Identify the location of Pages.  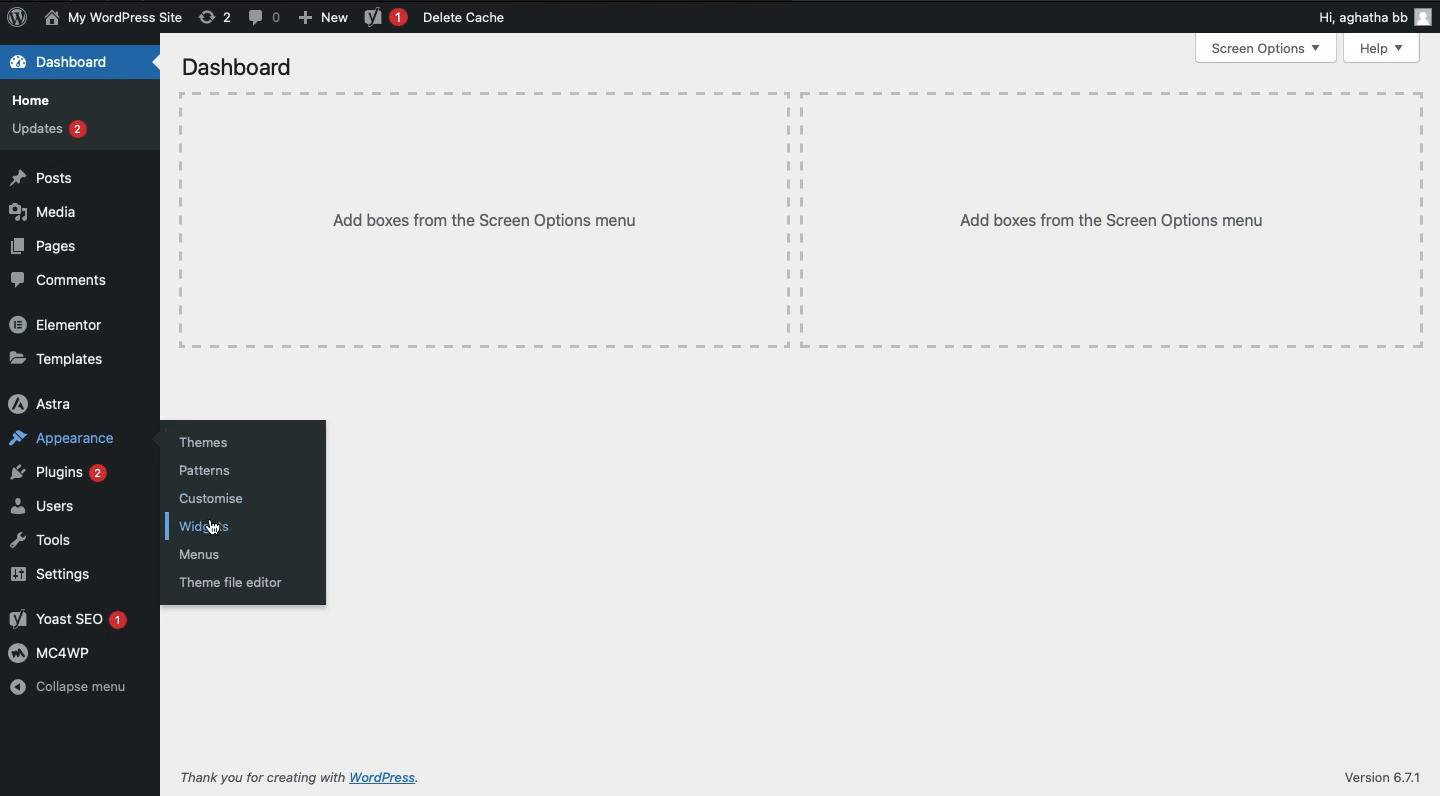
(57, 250).